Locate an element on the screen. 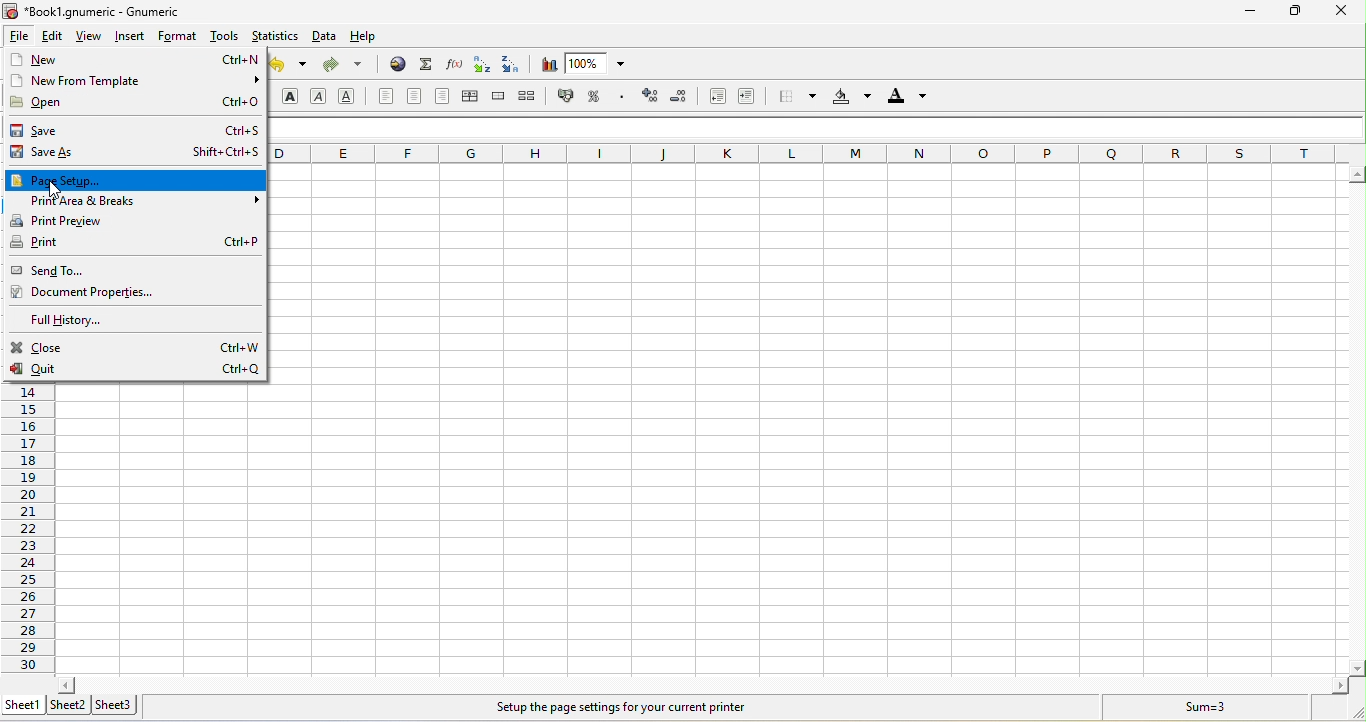 The width and height of the screenshot is (1366, 722). send to is located at coordinates (81, 270).